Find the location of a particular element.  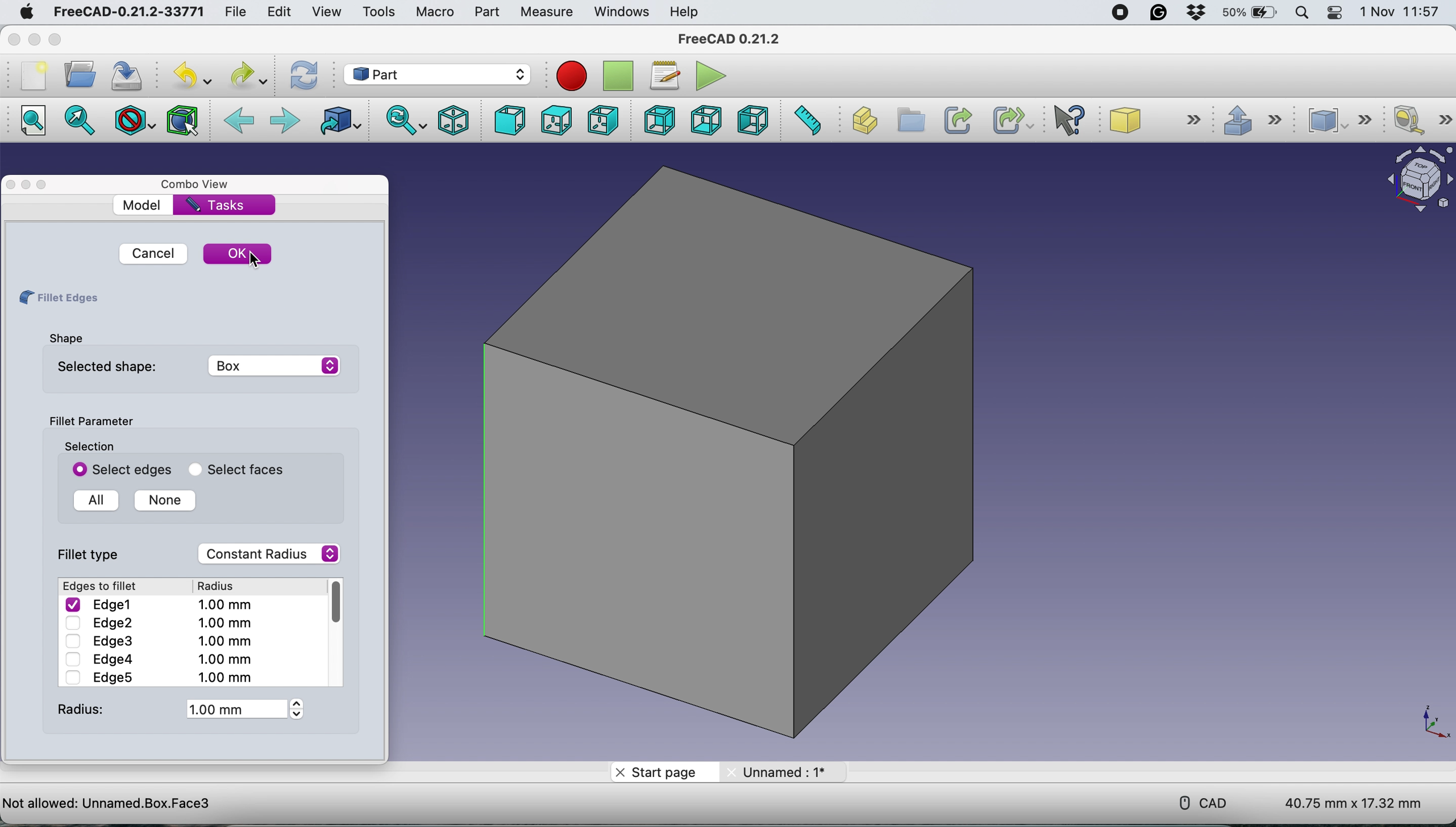

tools is located at coordinates (375, 12).